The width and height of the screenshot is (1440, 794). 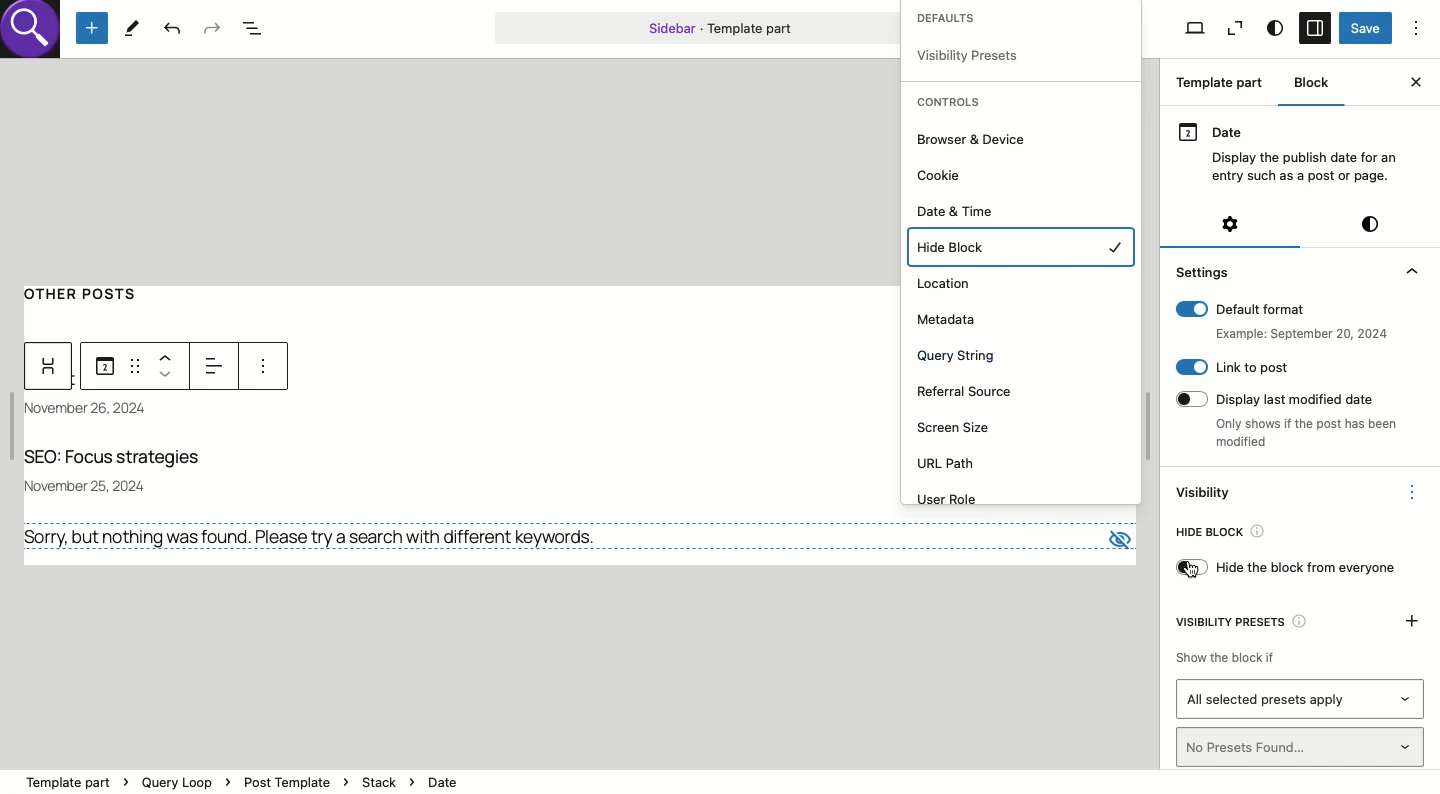 What do you see at coordinates (259, 30) in the screenshot?
I see `Document overview ` at bounding box center [259, 30].